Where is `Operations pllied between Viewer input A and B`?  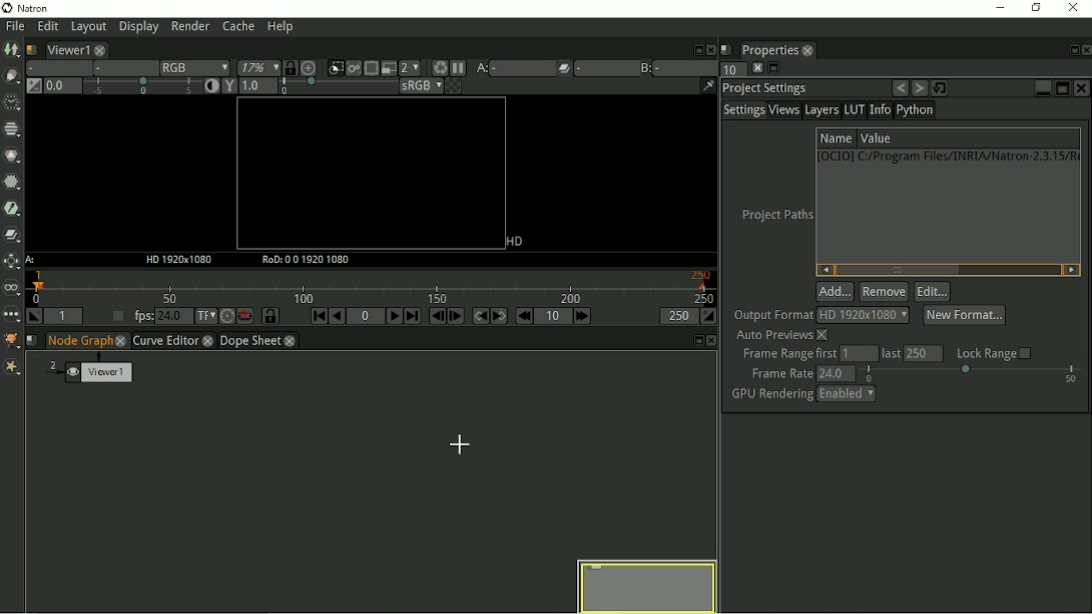
Operations pllied between Viewer input A and B is located at coordinates (574, 68).